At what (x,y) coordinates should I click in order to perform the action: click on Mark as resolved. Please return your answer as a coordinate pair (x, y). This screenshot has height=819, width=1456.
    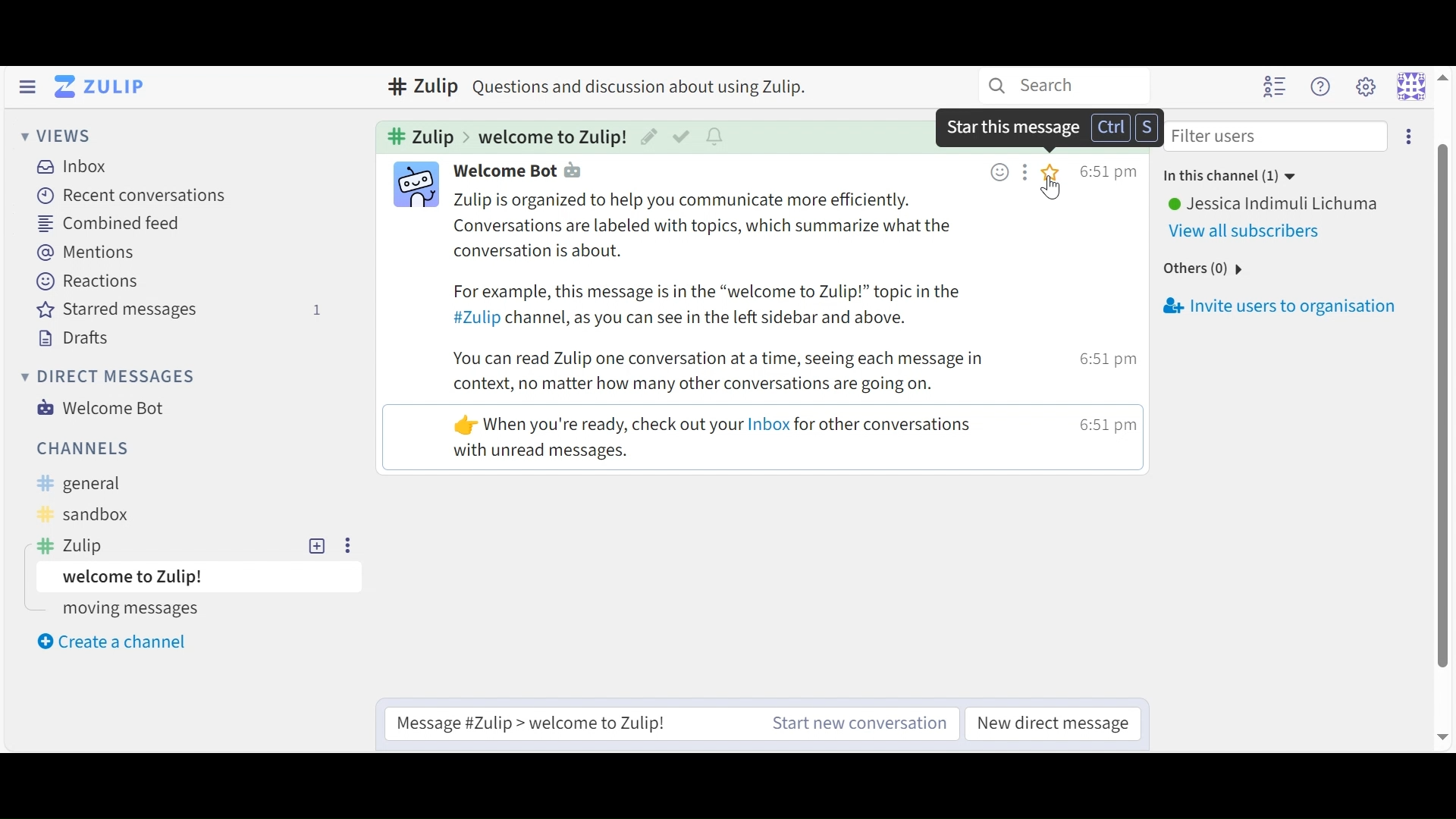
    Looking at the image, I should click on (681, 136).